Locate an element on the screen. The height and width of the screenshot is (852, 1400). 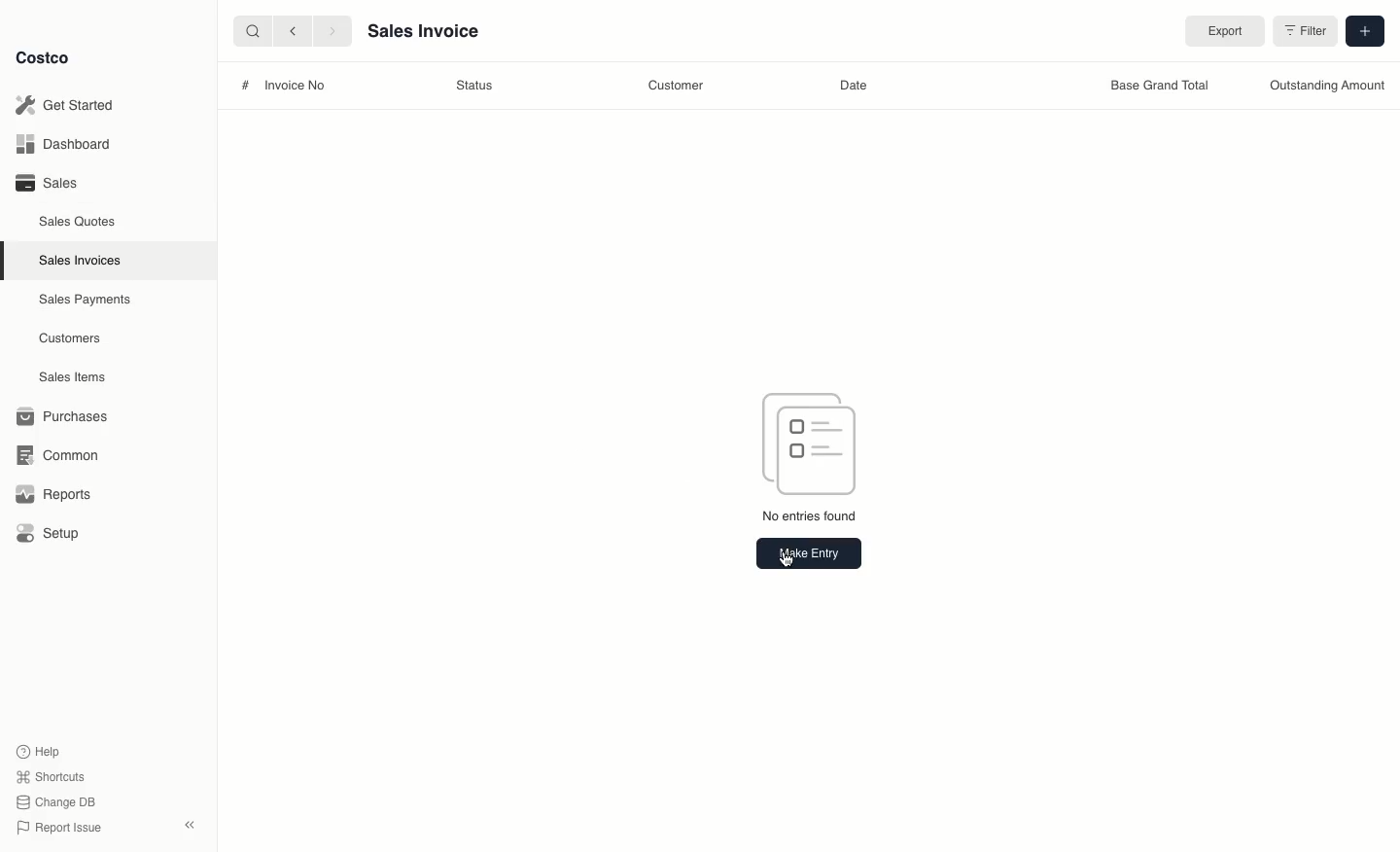
Sales is located at coordinates (45, 182).